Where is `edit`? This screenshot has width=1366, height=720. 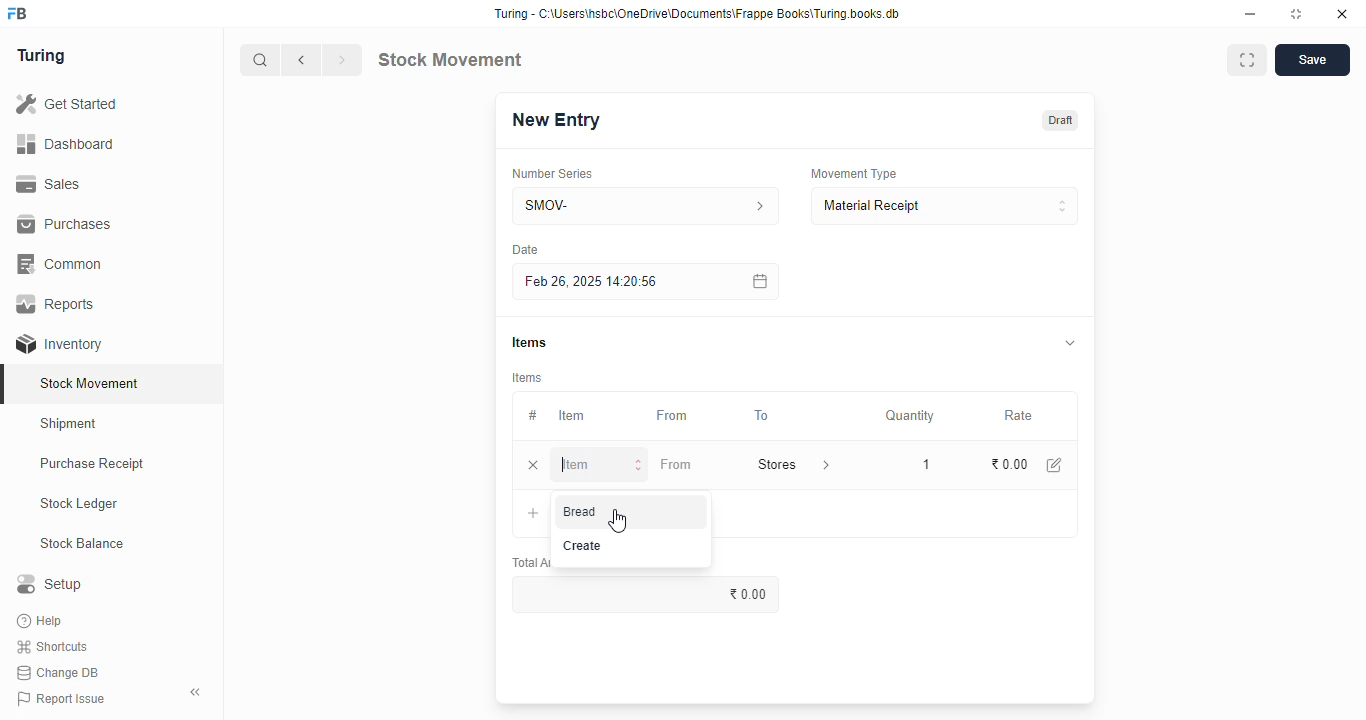
edit is located at coordinates (1055, 465).